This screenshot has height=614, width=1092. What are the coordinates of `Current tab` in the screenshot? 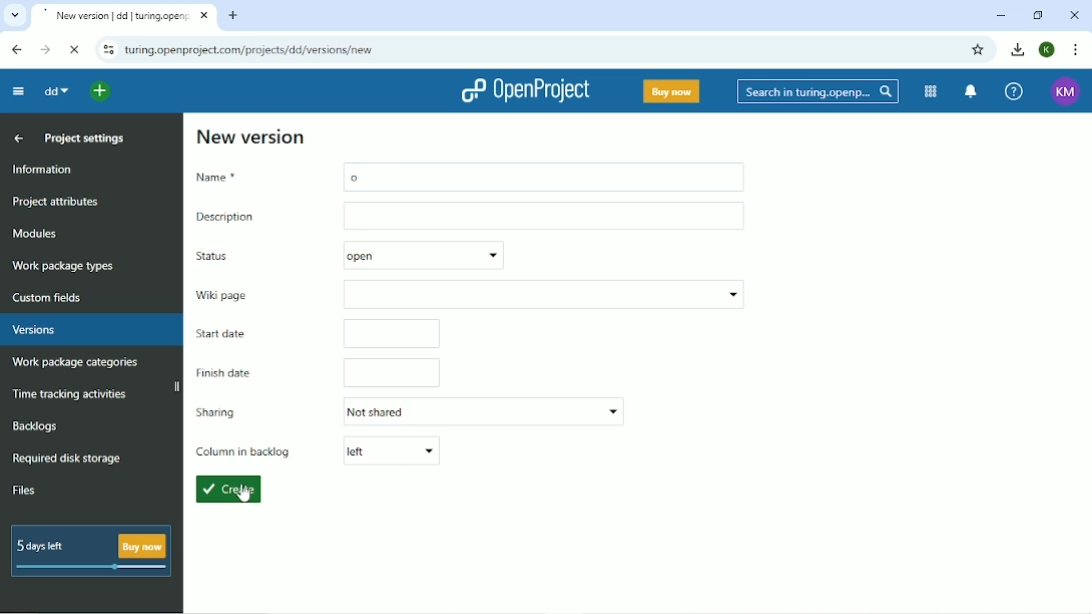 It's located at (124, 14).